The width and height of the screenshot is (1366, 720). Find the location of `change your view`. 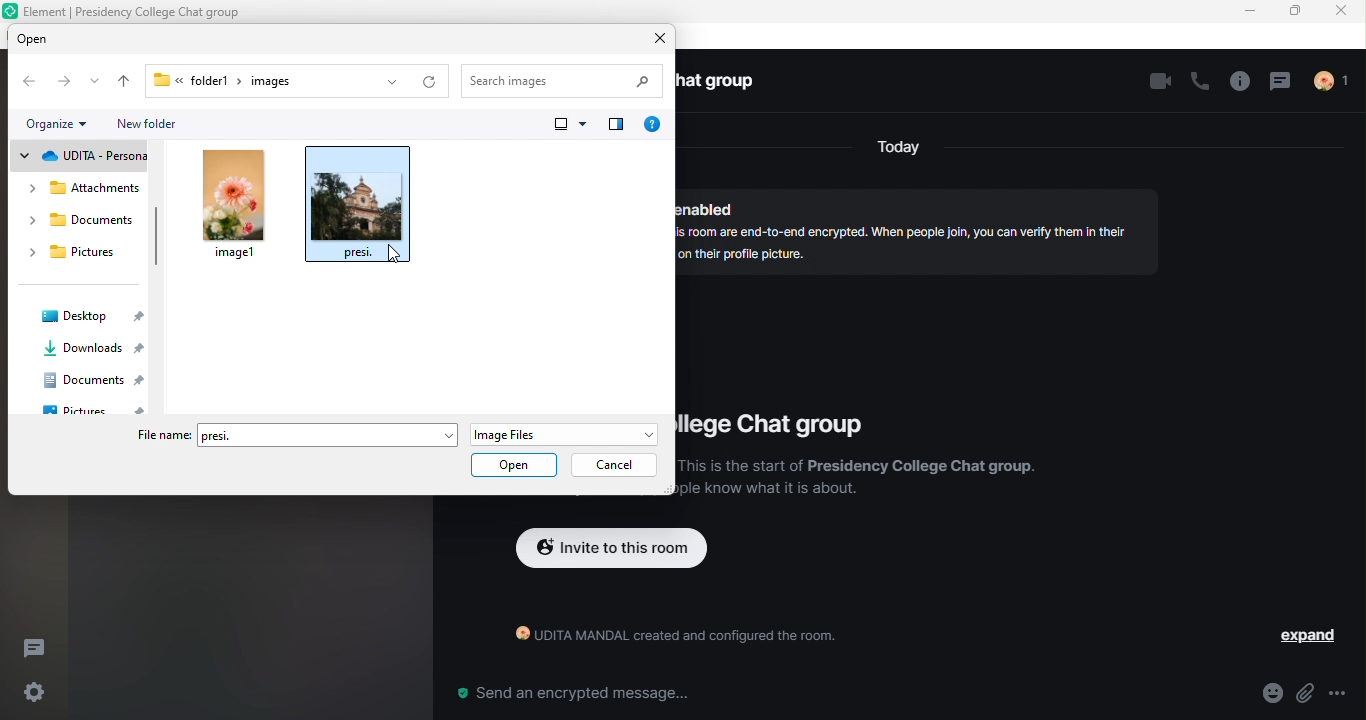

change your view is located at coordinates (568, 128).